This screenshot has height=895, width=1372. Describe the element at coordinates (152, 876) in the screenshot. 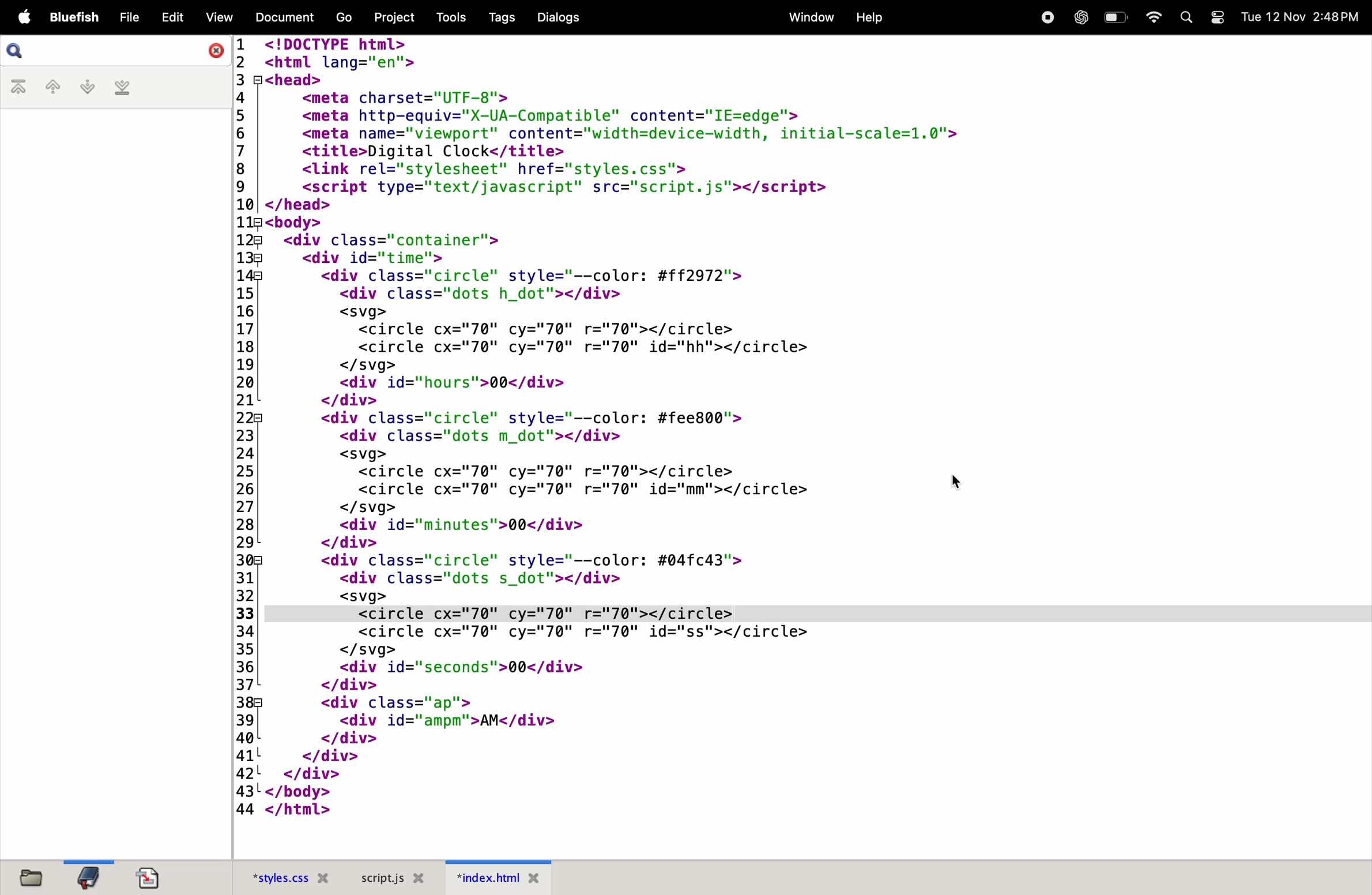

I see `documents` at that location.